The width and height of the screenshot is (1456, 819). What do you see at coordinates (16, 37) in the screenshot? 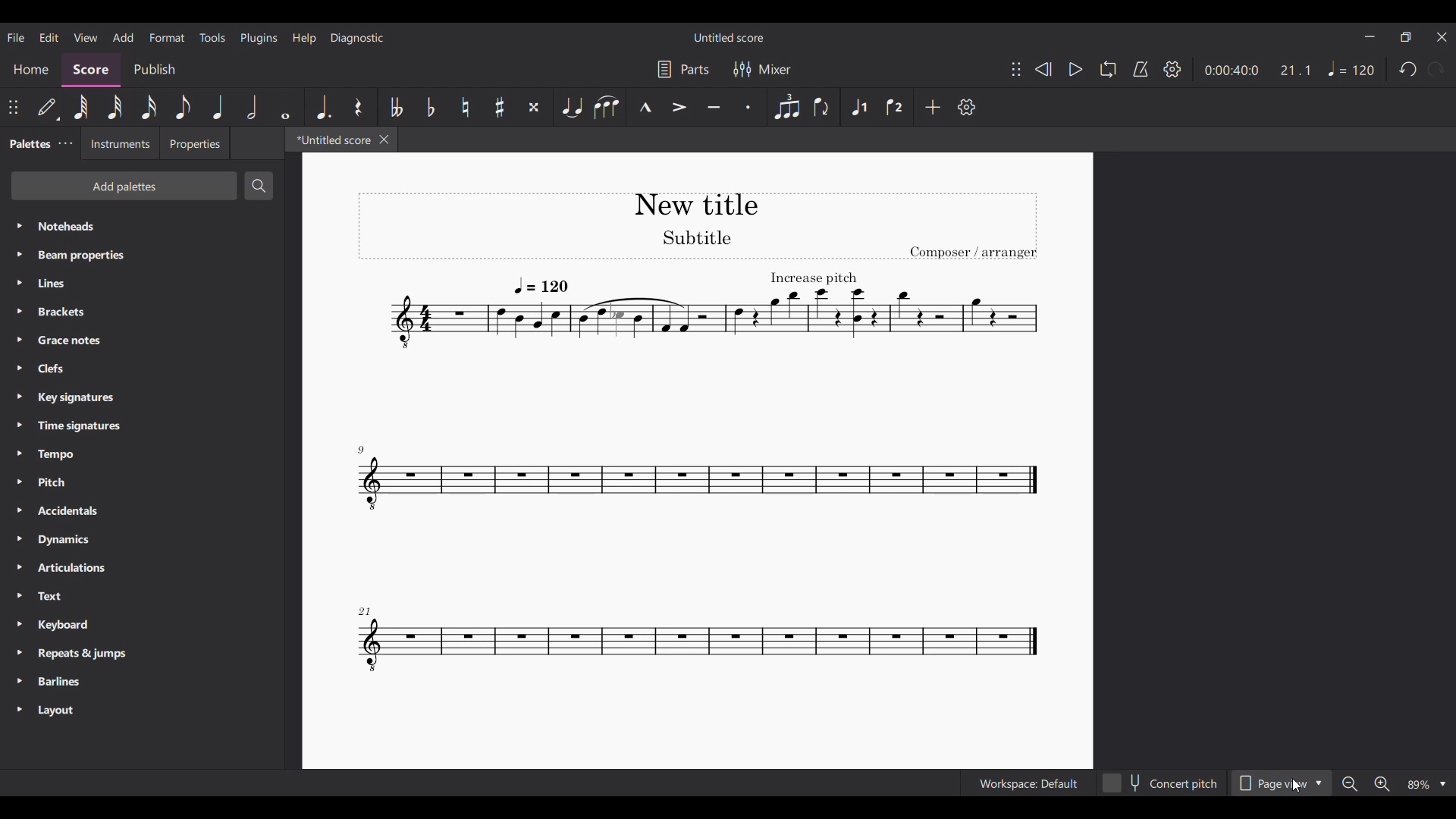
I see `File menu` at bounding box center [16, 37].